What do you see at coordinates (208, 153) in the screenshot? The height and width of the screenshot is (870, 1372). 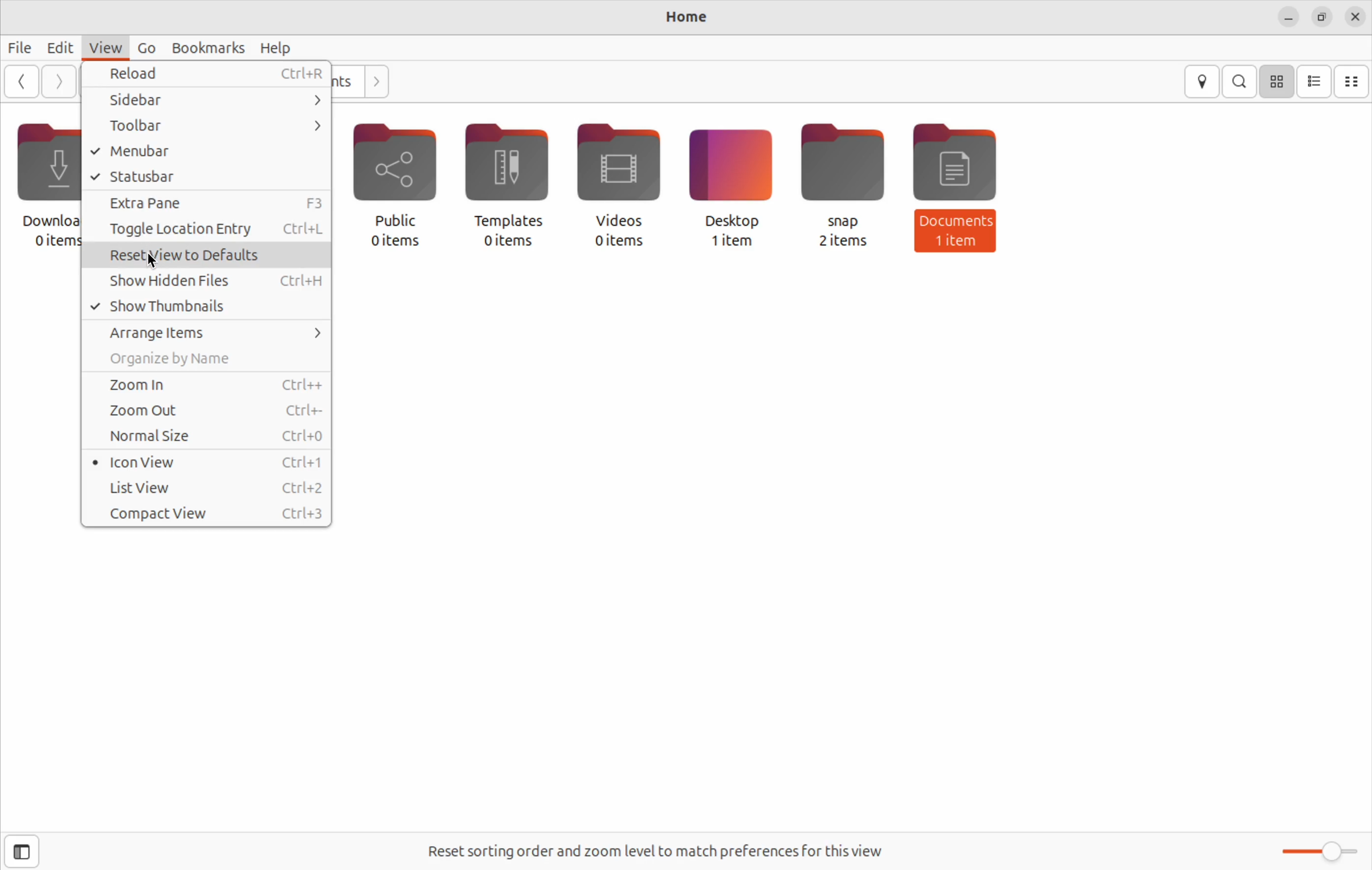 I see `Menubar` at bounding box center [208, 153].